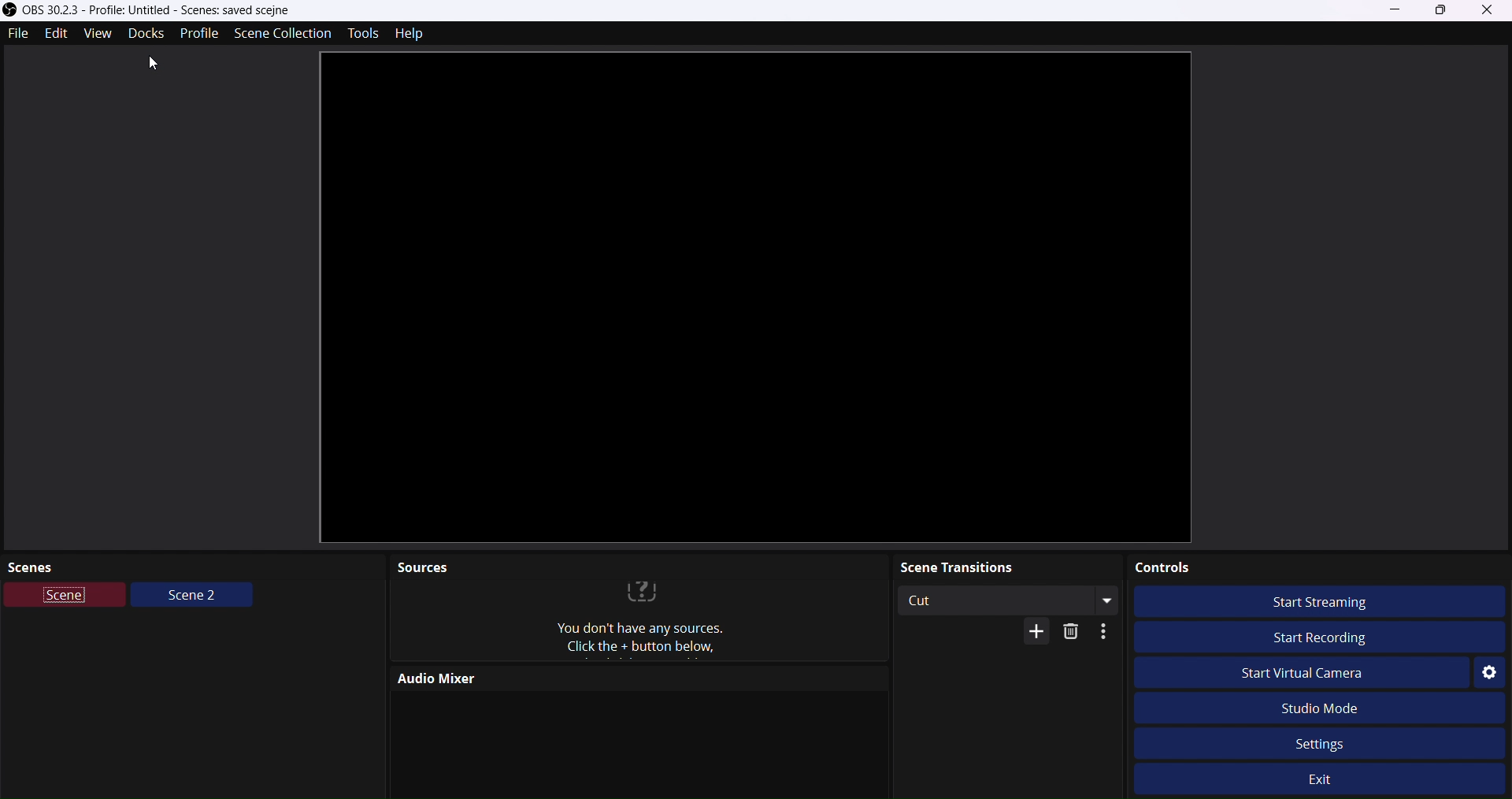 Image resolution: width=1512 pixels, height=799 pixels. I want to click on text, so click(639, 620).